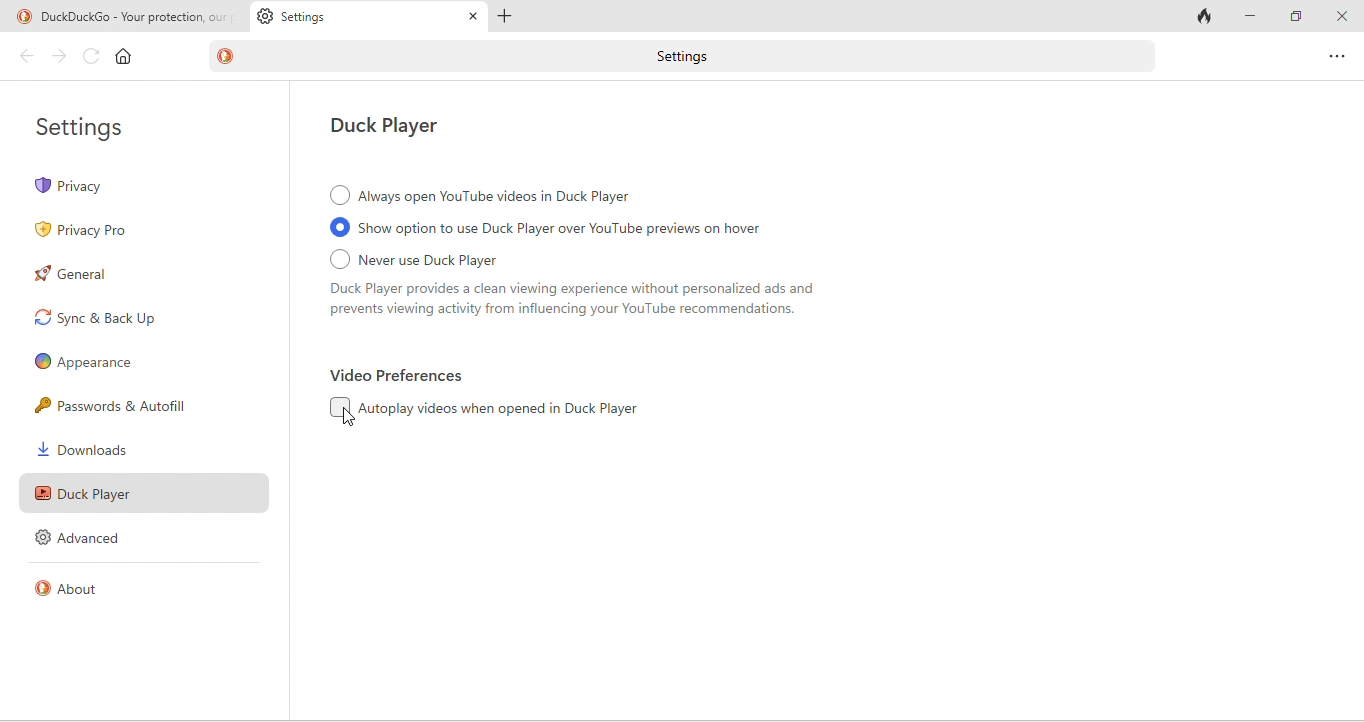 The image size is (1364, 722). Describe the element at coordinates (79, 275) in the screenshot. I see `general` at that location.